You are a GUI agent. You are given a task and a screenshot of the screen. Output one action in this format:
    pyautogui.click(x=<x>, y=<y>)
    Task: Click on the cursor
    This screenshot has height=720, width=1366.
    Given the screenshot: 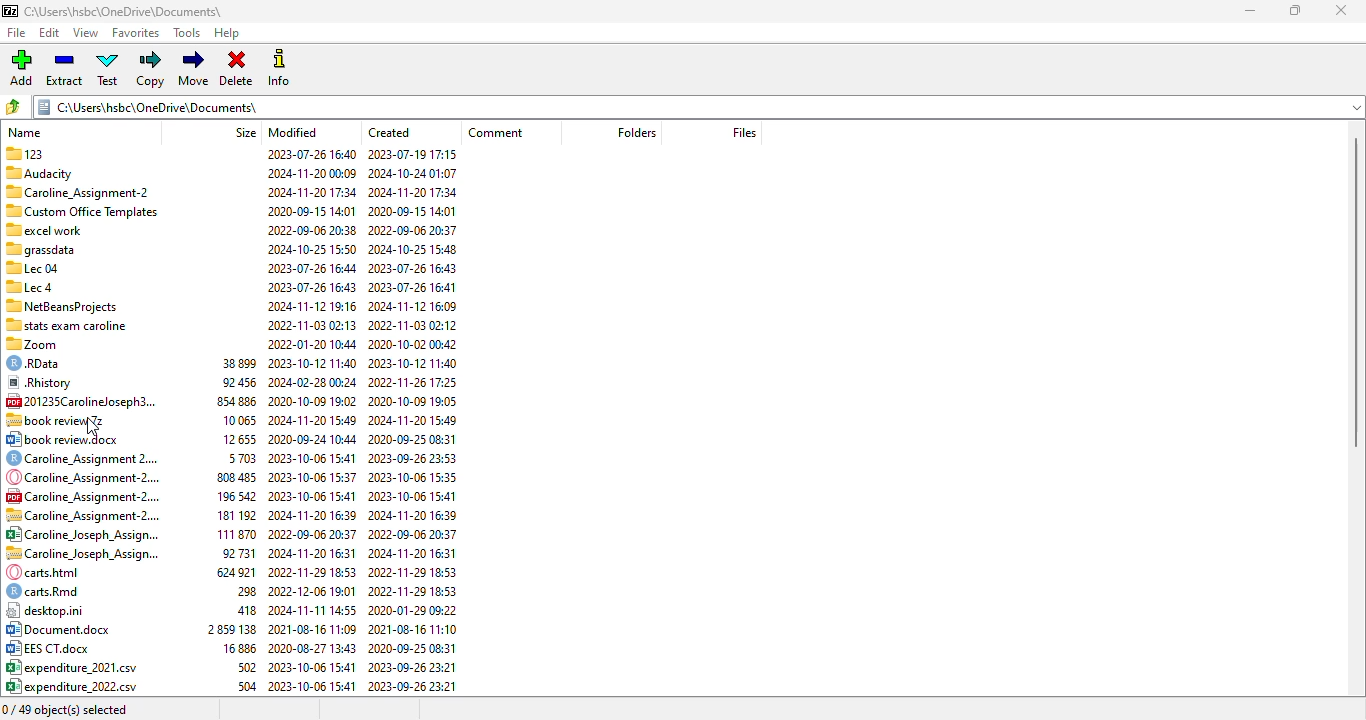 What is the action you would take?
    pyautogui.click(x=92, y=428)
    